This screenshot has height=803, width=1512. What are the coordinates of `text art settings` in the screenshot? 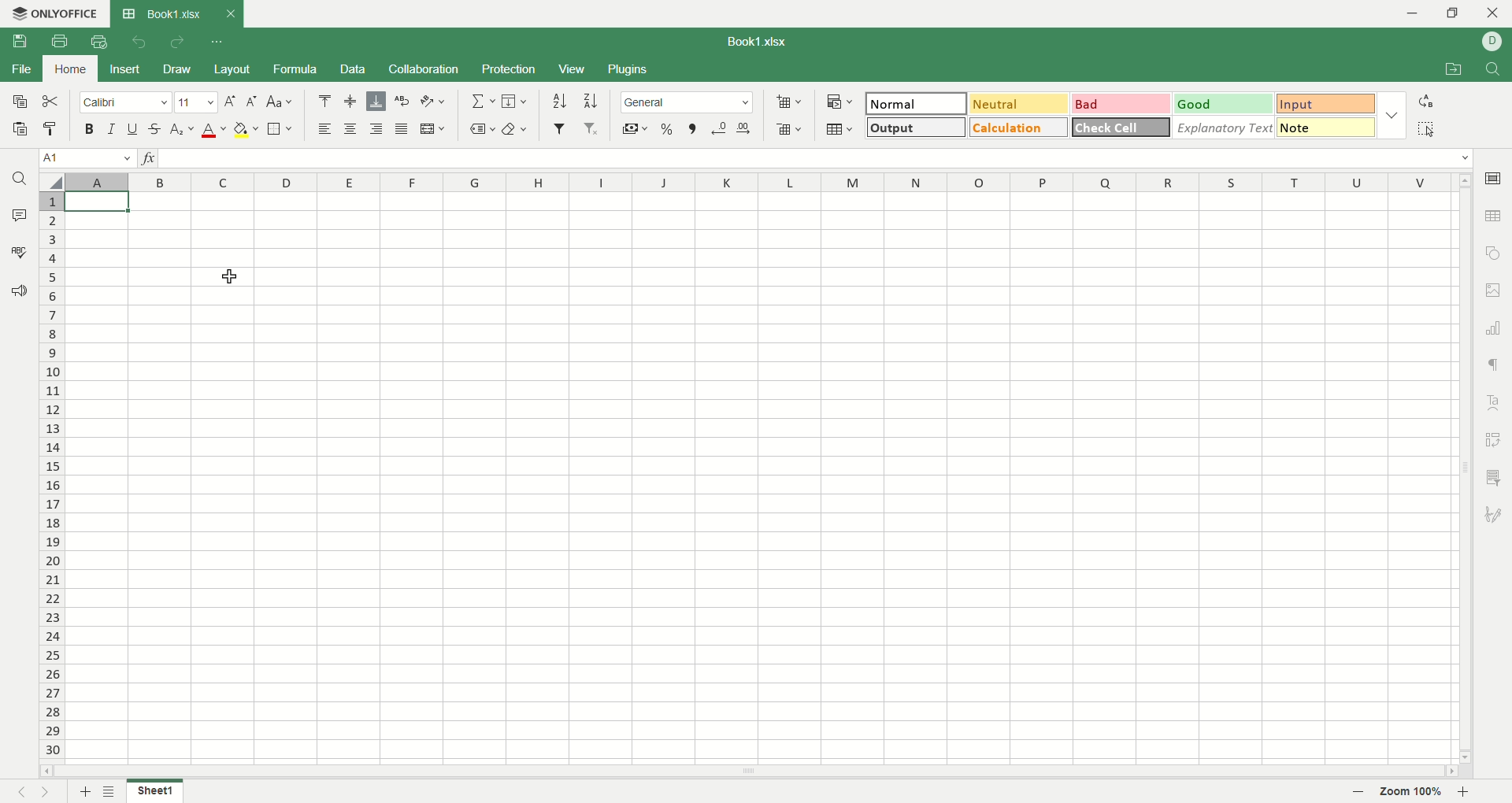 It's located at (1497, 399).